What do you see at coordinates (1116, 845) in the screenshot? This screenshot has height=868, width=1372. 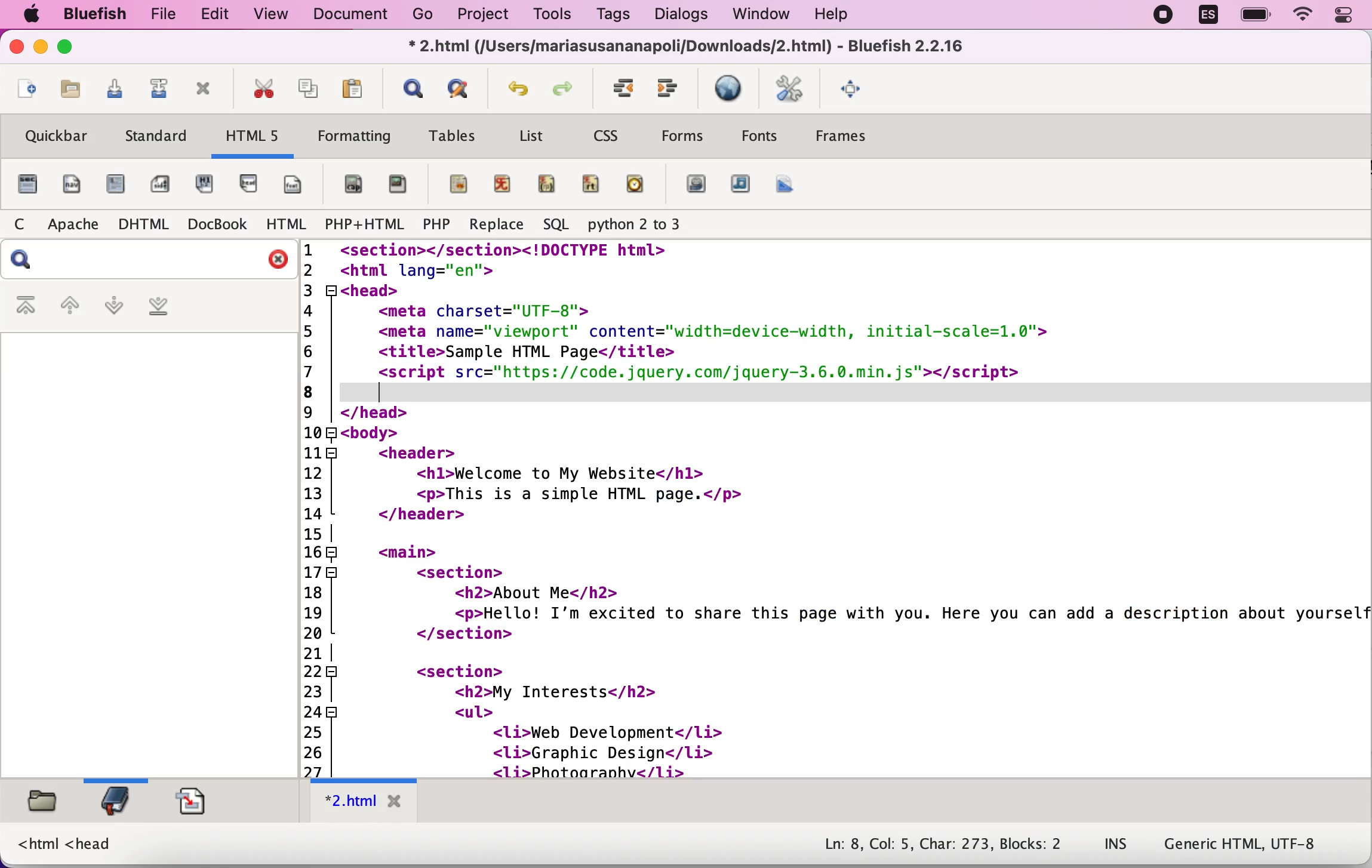 I see `INS` at bounding box center [1116, 845].